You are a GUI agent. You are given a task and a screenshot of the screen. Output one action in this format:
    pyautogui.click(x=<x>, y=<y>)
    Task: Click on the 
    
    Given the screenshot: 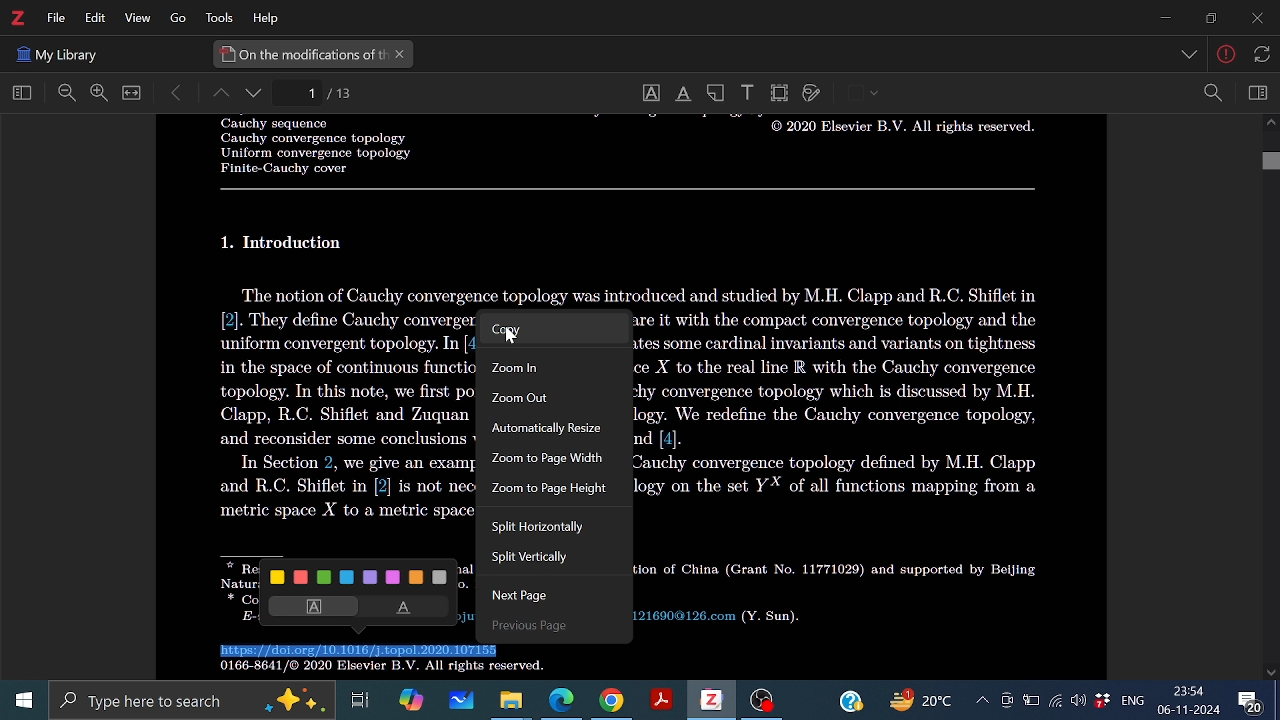 What is the action you would take?
    pyautogui.click(x=898, y=131)
    